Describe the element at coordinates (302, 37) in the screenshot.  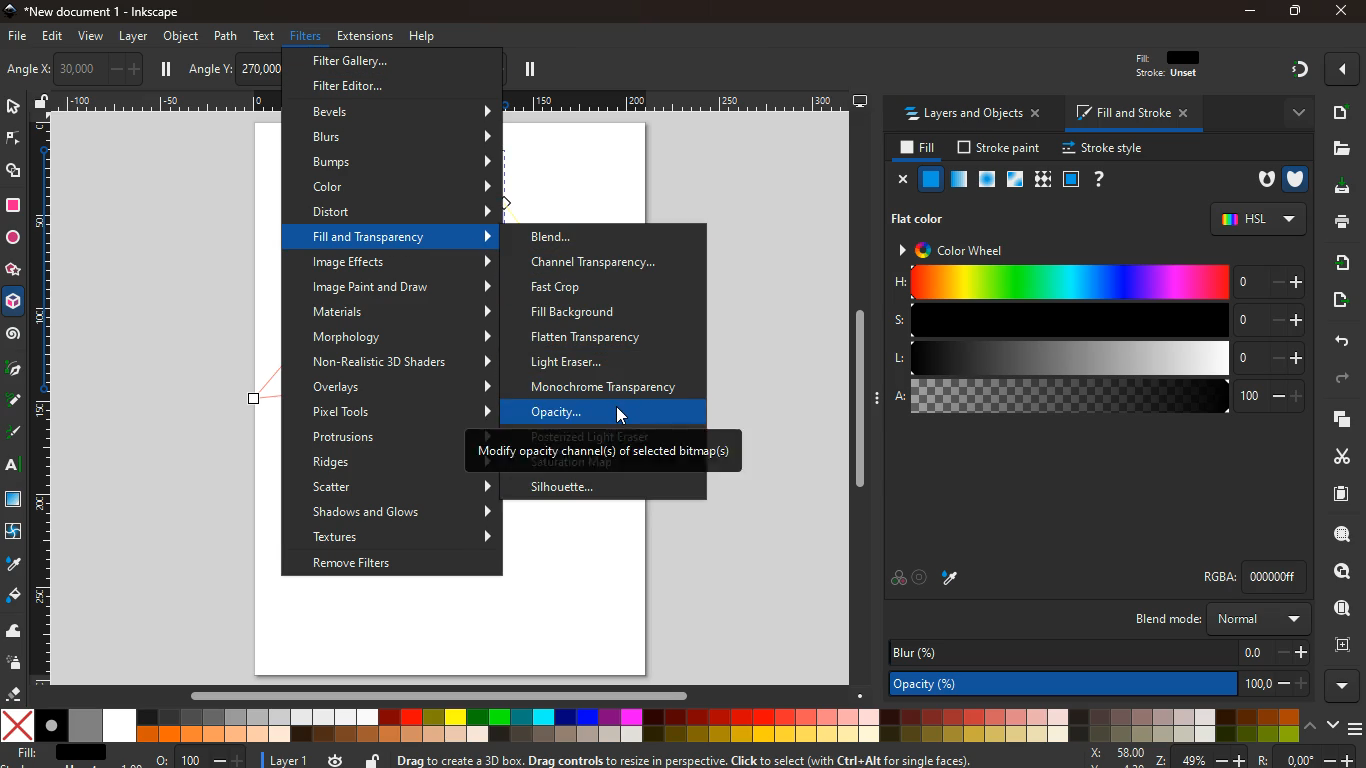
I see `filters` at that location.